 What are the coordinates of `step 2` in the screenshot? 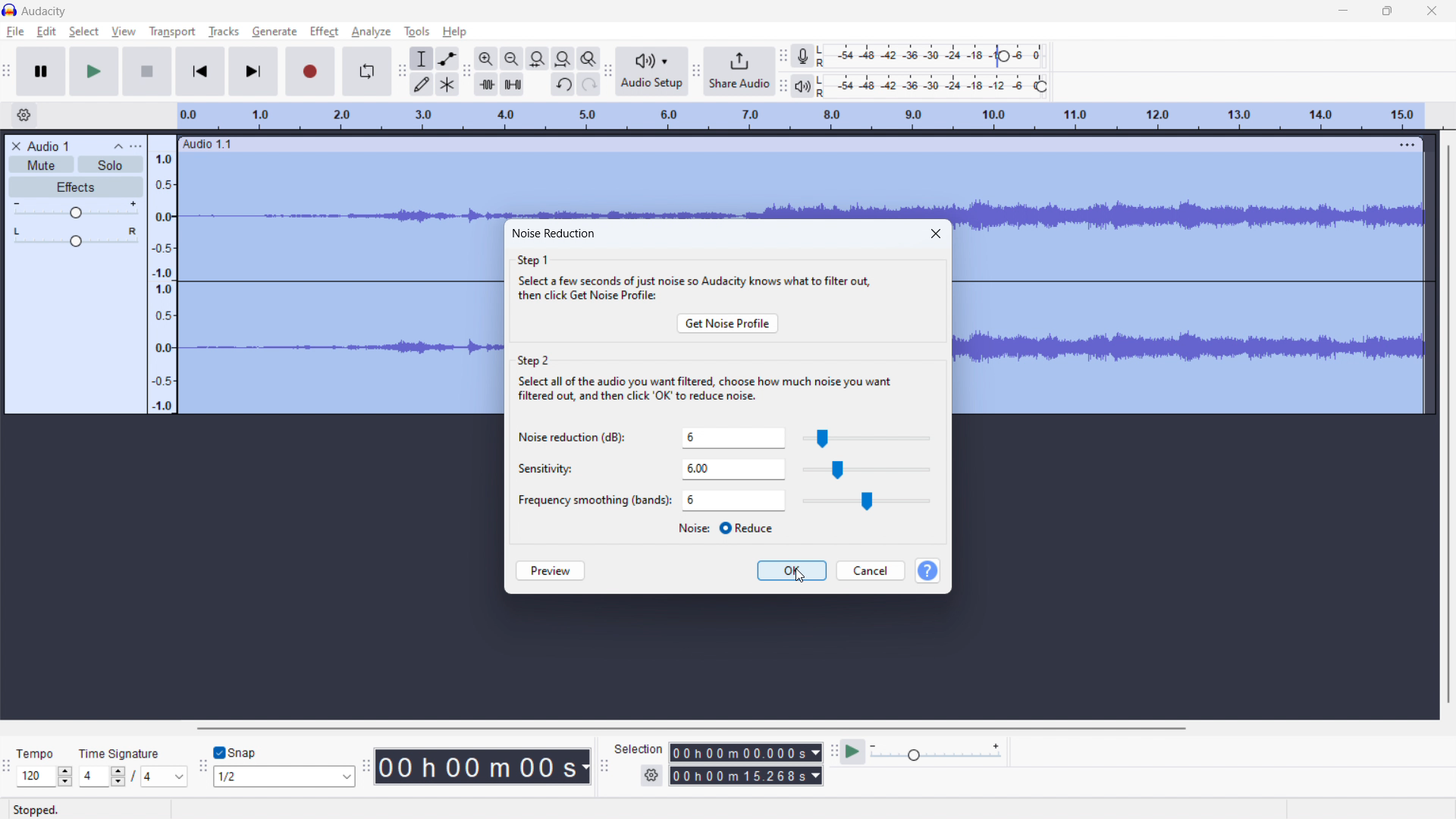 It's located at (707, 381).